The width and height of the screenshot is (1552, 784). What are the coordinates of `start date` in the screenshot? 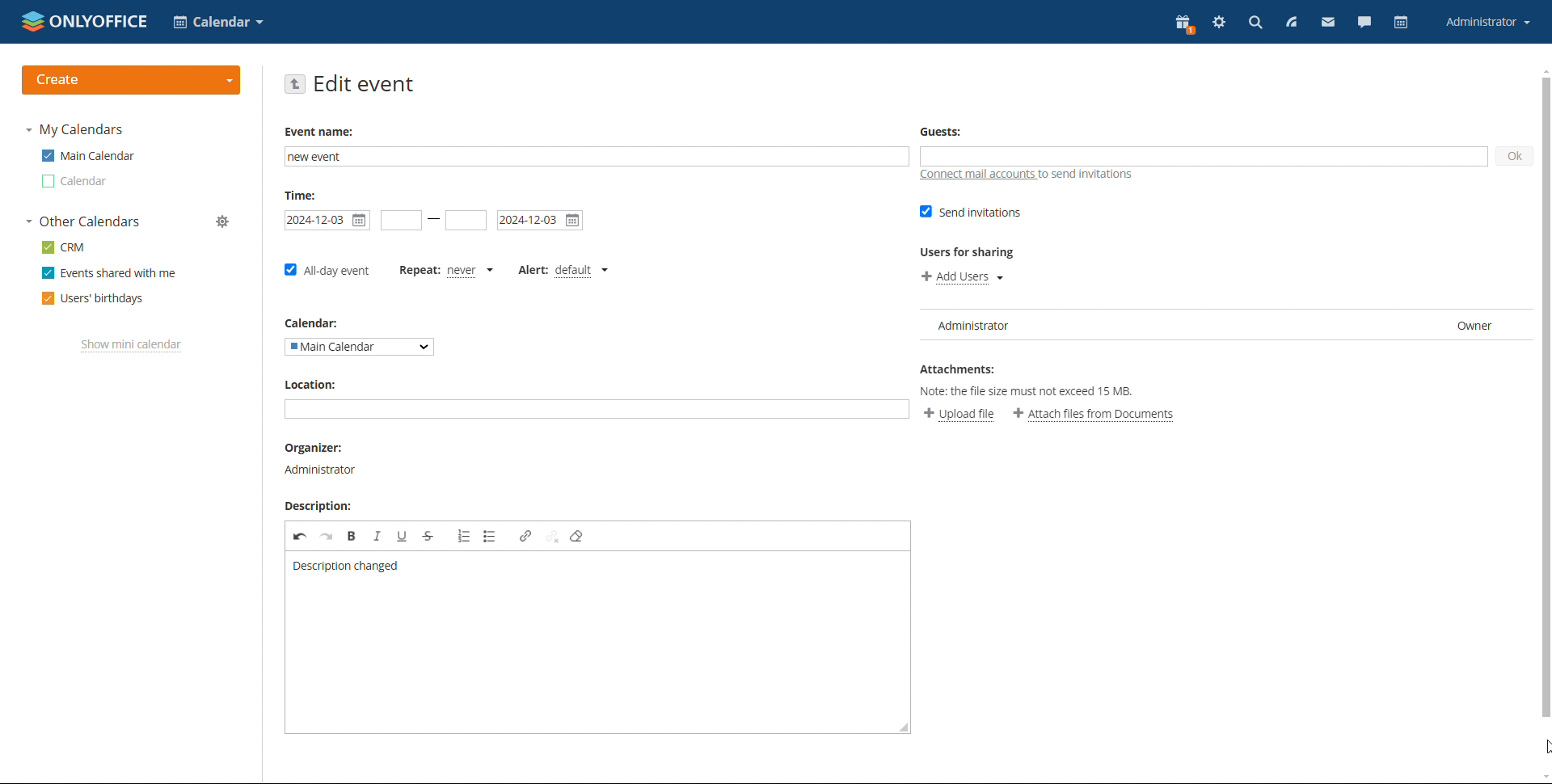 It's located at (402, 221).